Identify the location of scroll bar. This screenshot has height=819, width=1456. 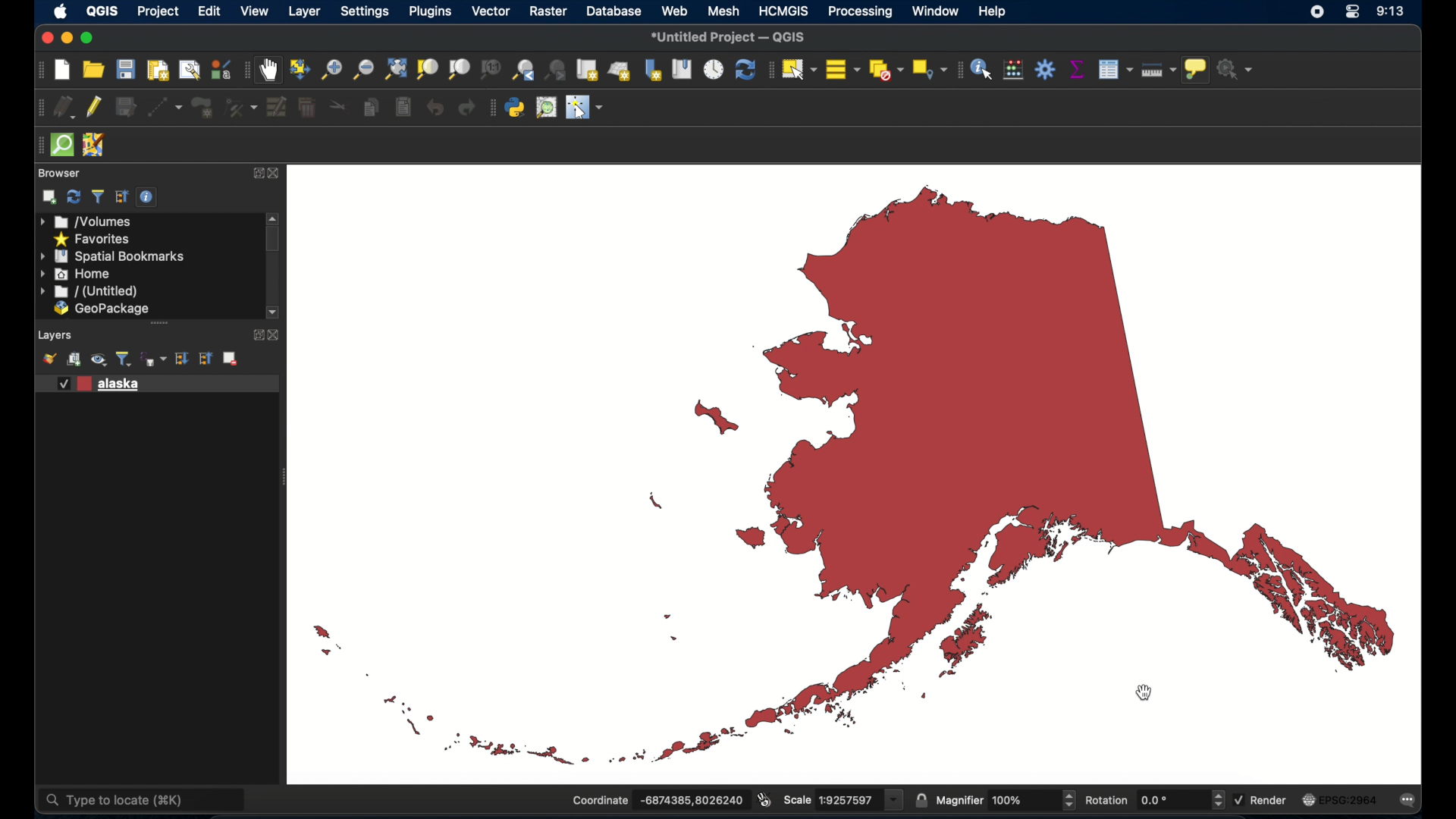
(155, 324).